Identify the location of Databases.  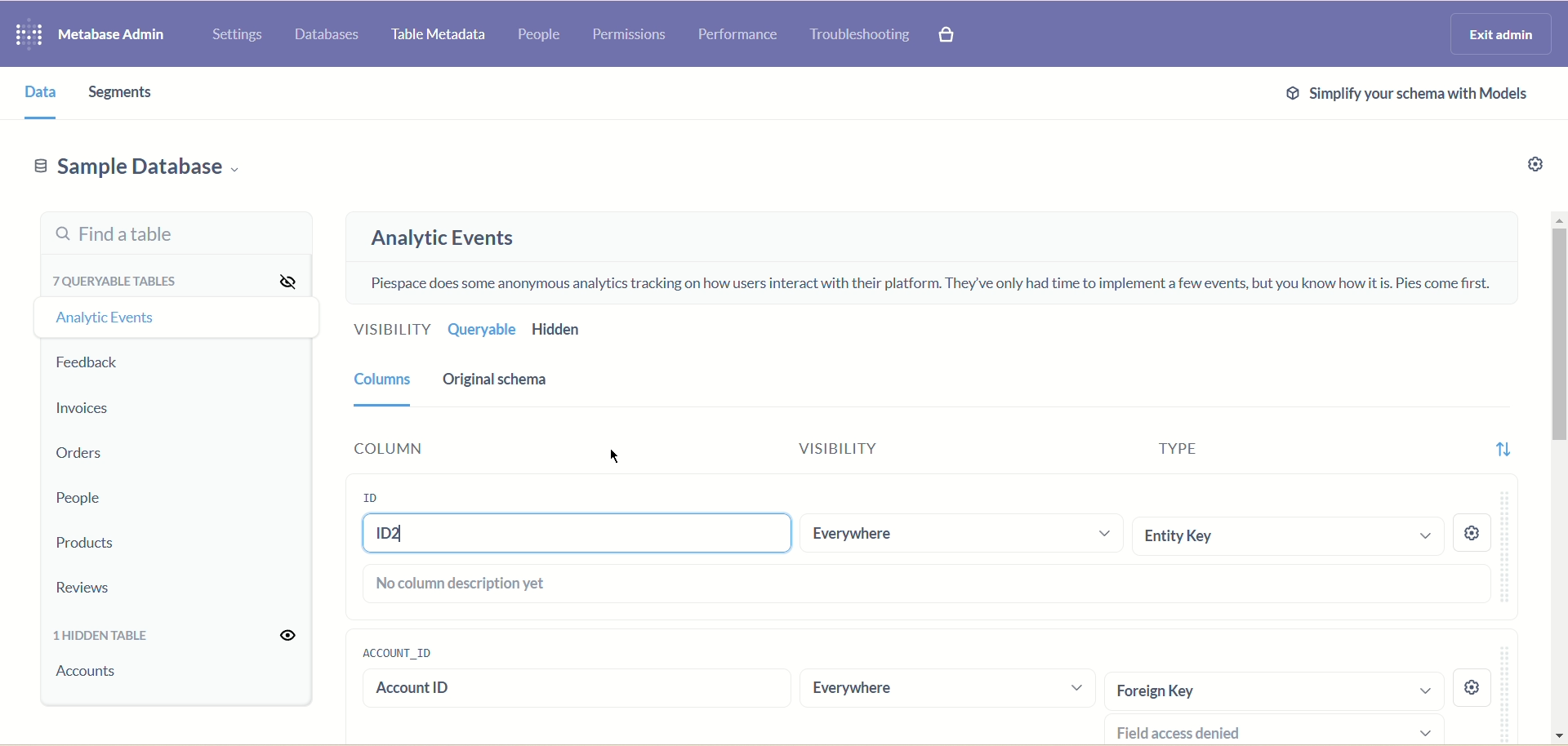
(327, 38).